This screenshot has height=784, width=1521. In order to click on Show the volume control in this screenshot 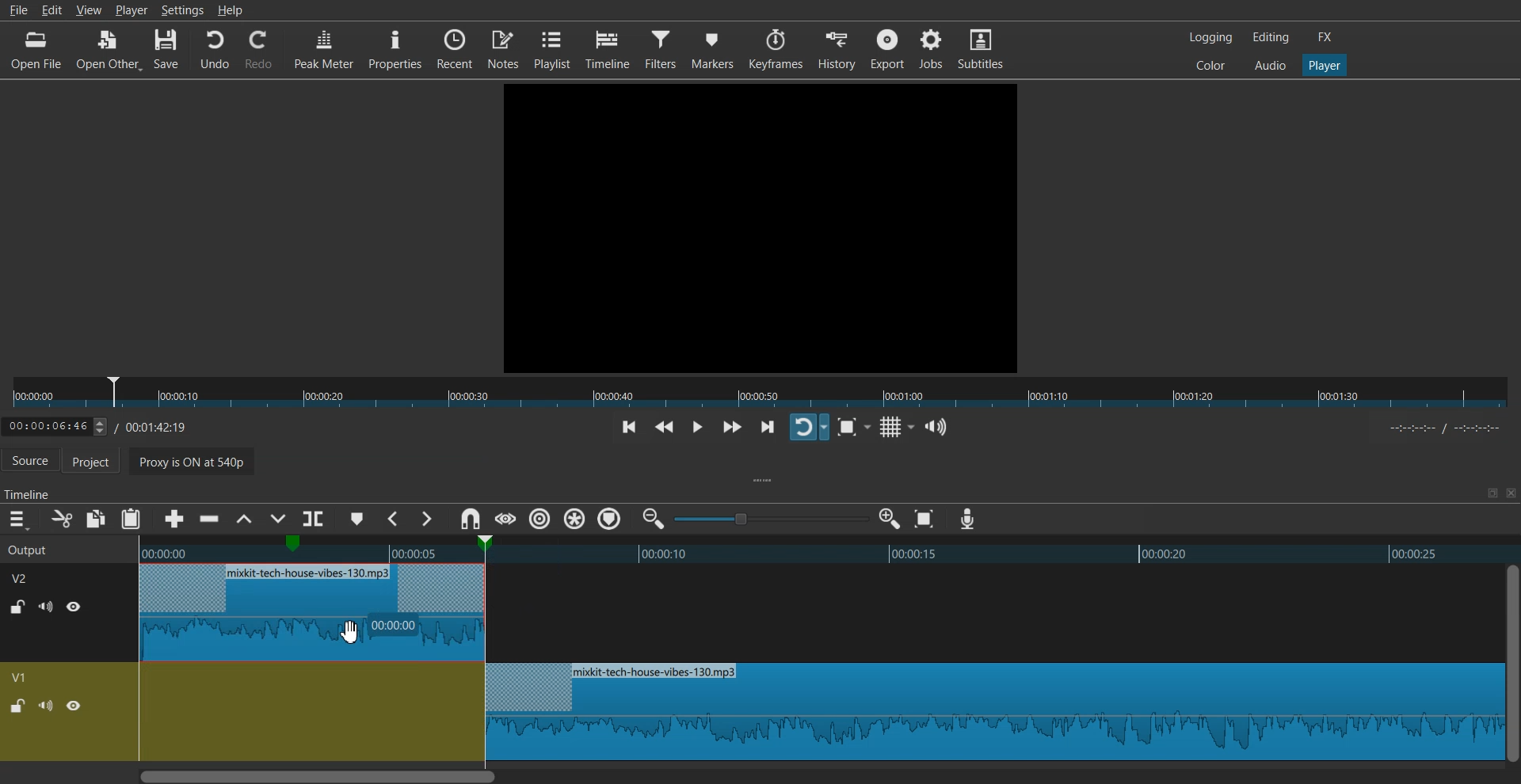, I will do `click(936, 428)`.